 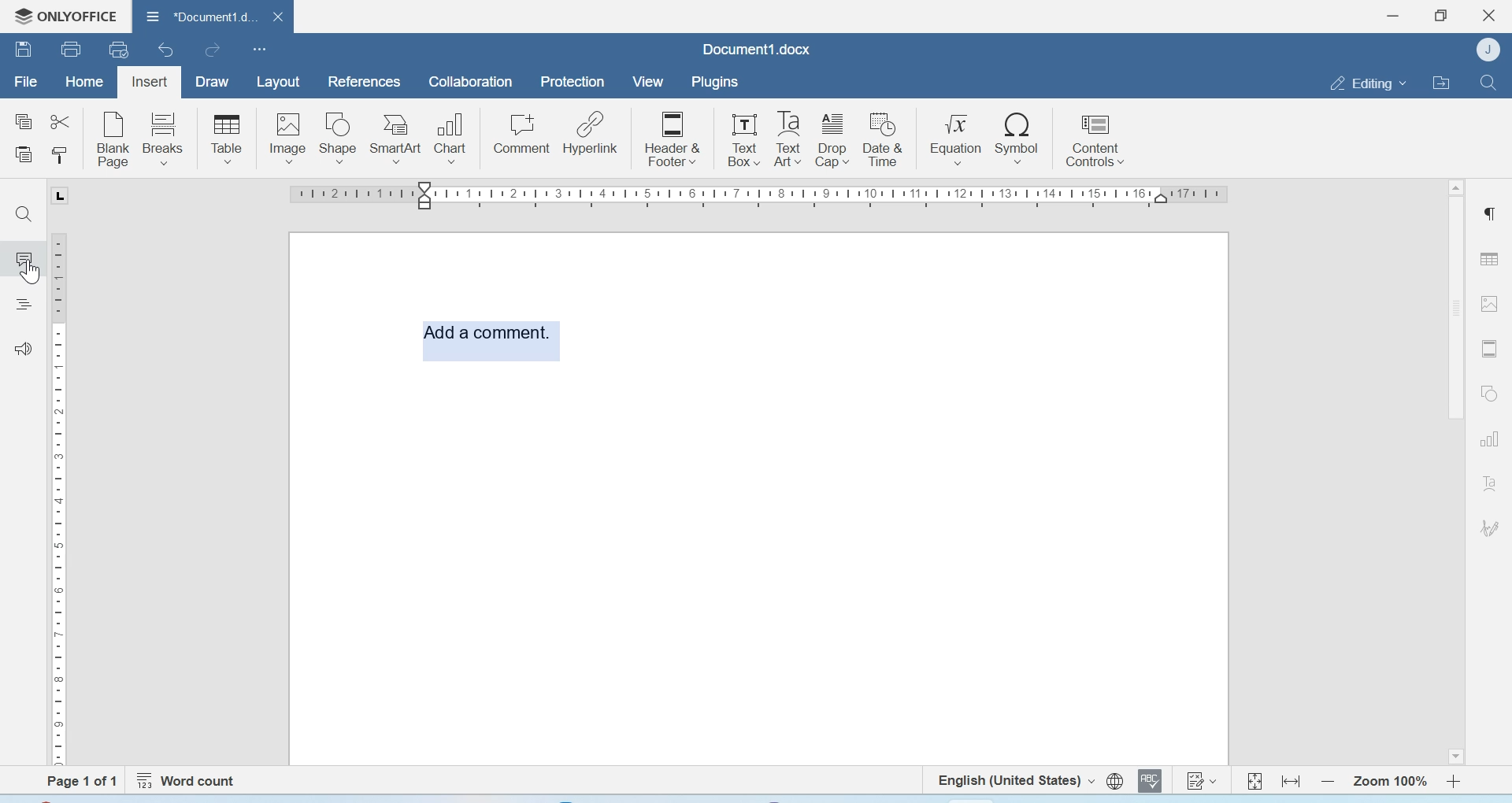 I want to click on Find, so click(x=1487, y=82).